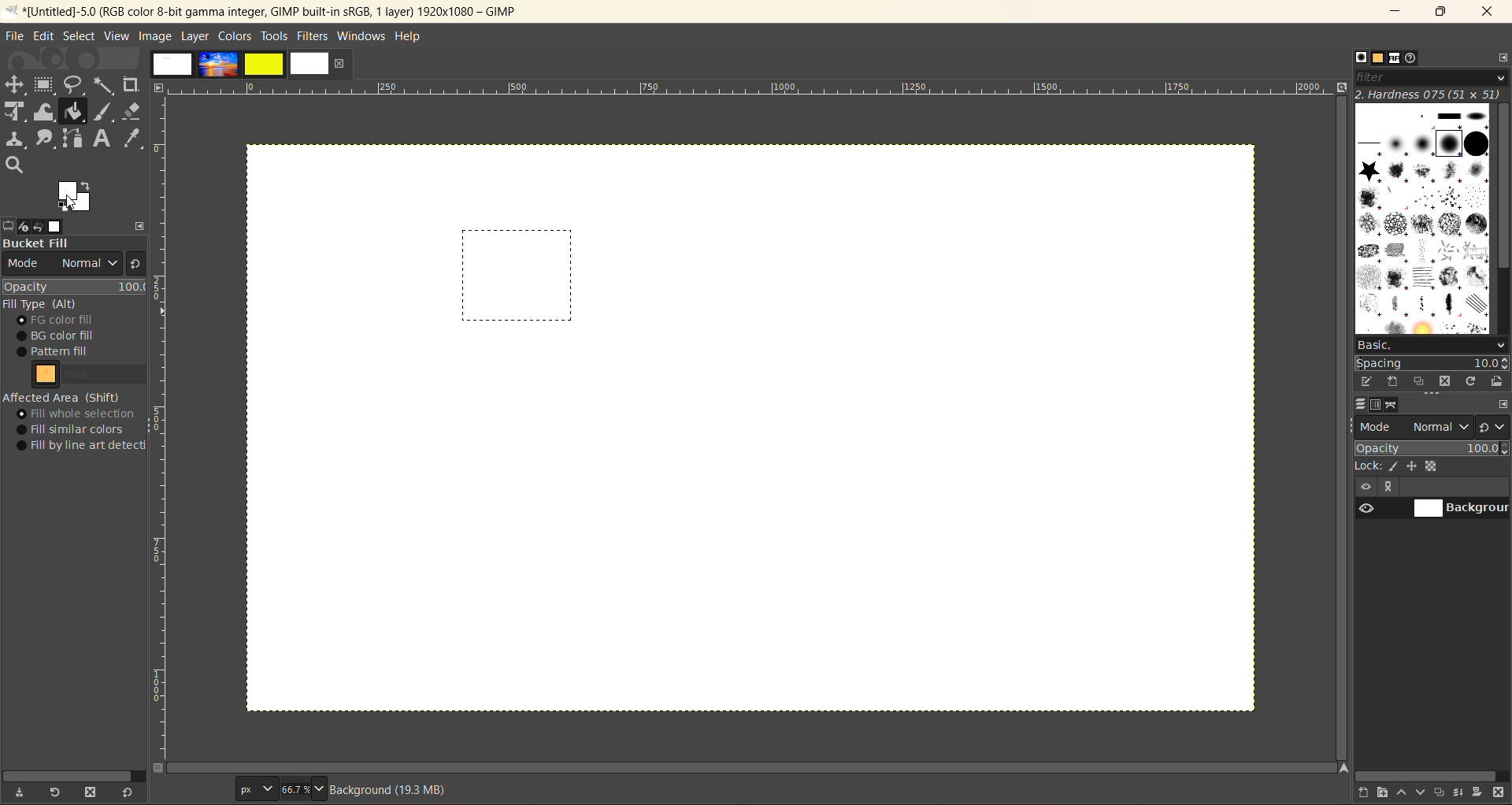 This screenshot has width=1512, height=805. Describe the element at coordinates (1443, 791) in the screenshot. I see `create a duplicate layer` at that location.